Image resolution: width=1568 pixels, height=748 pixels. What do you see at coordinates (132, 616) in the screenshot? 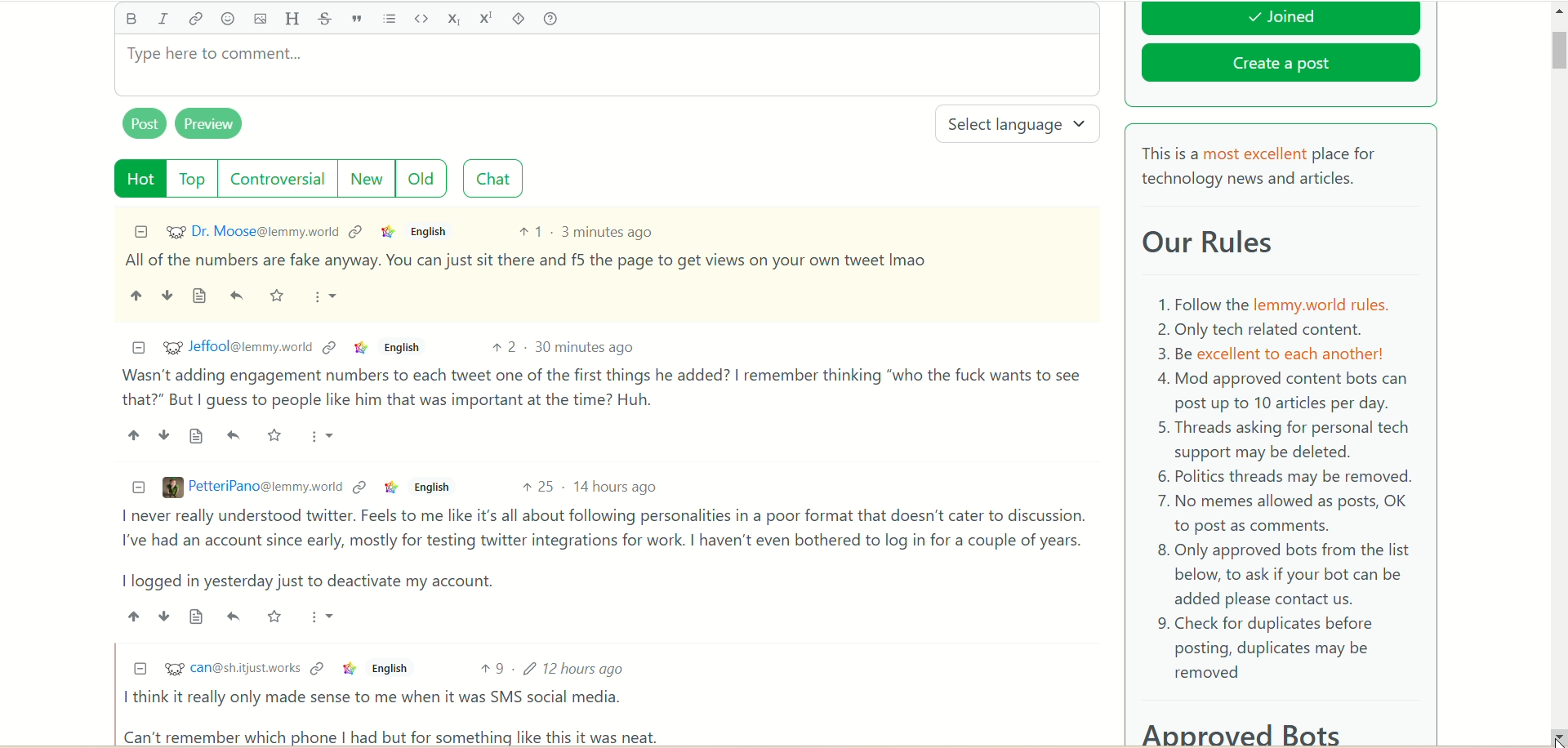
I see `Upvote ` at bounding box center [132, 616].